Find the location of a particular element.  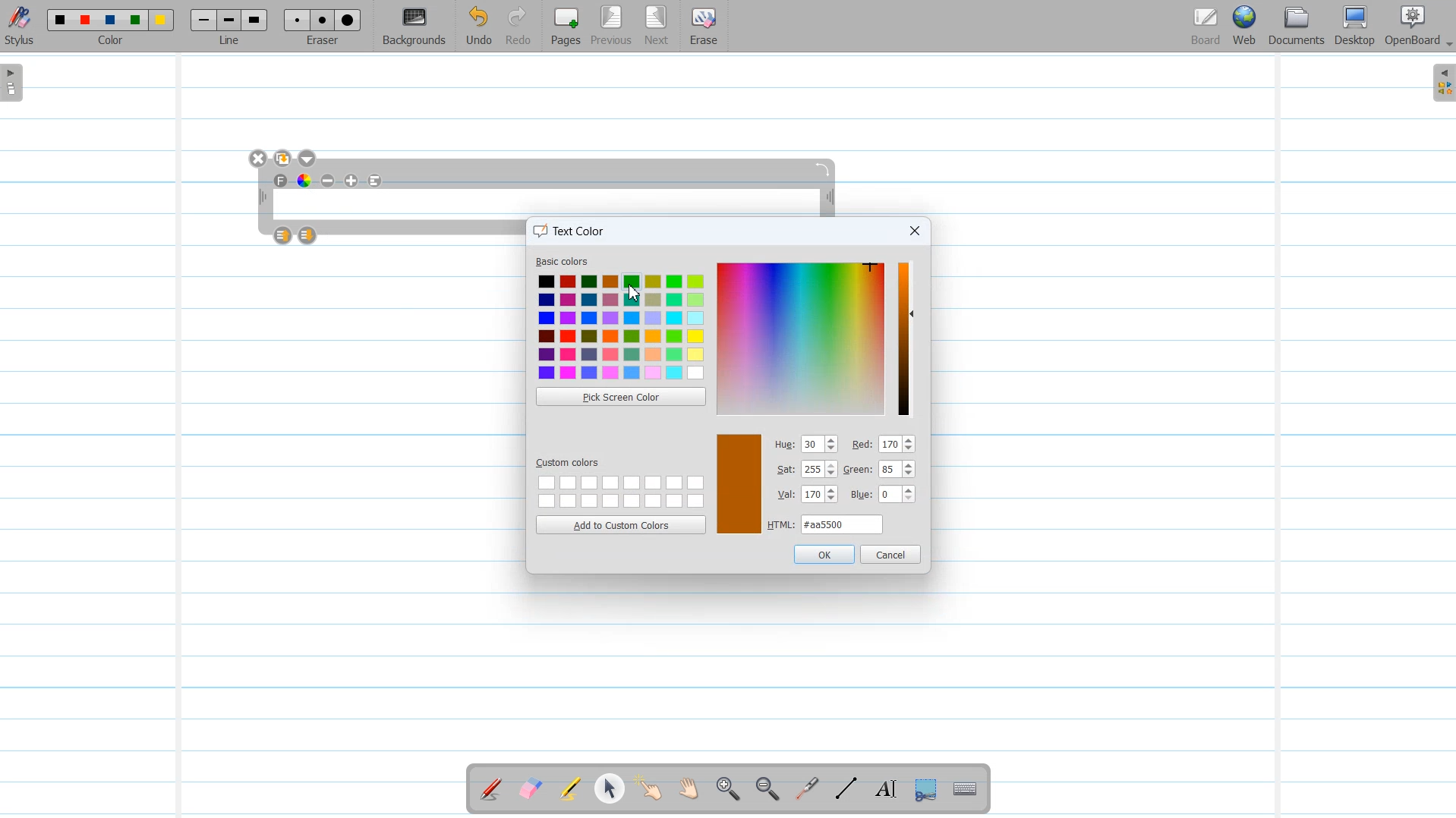

Text Tool is located at coordinates (883, 789).